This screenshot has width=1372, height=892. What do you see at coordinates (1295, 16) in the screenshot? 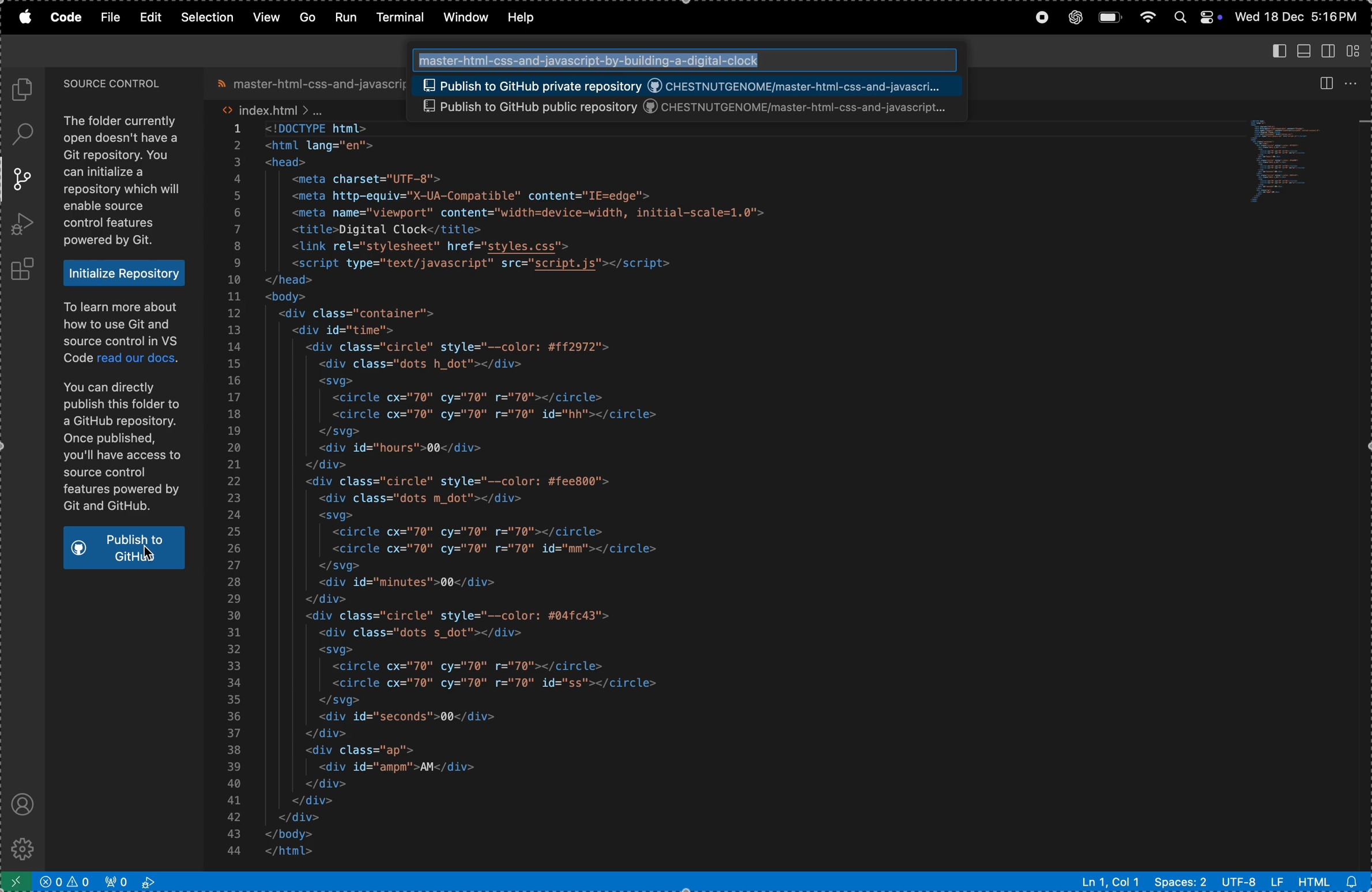
I see `Wed 18 Dec 5:16 PM` at bounding box center [1295, 16].